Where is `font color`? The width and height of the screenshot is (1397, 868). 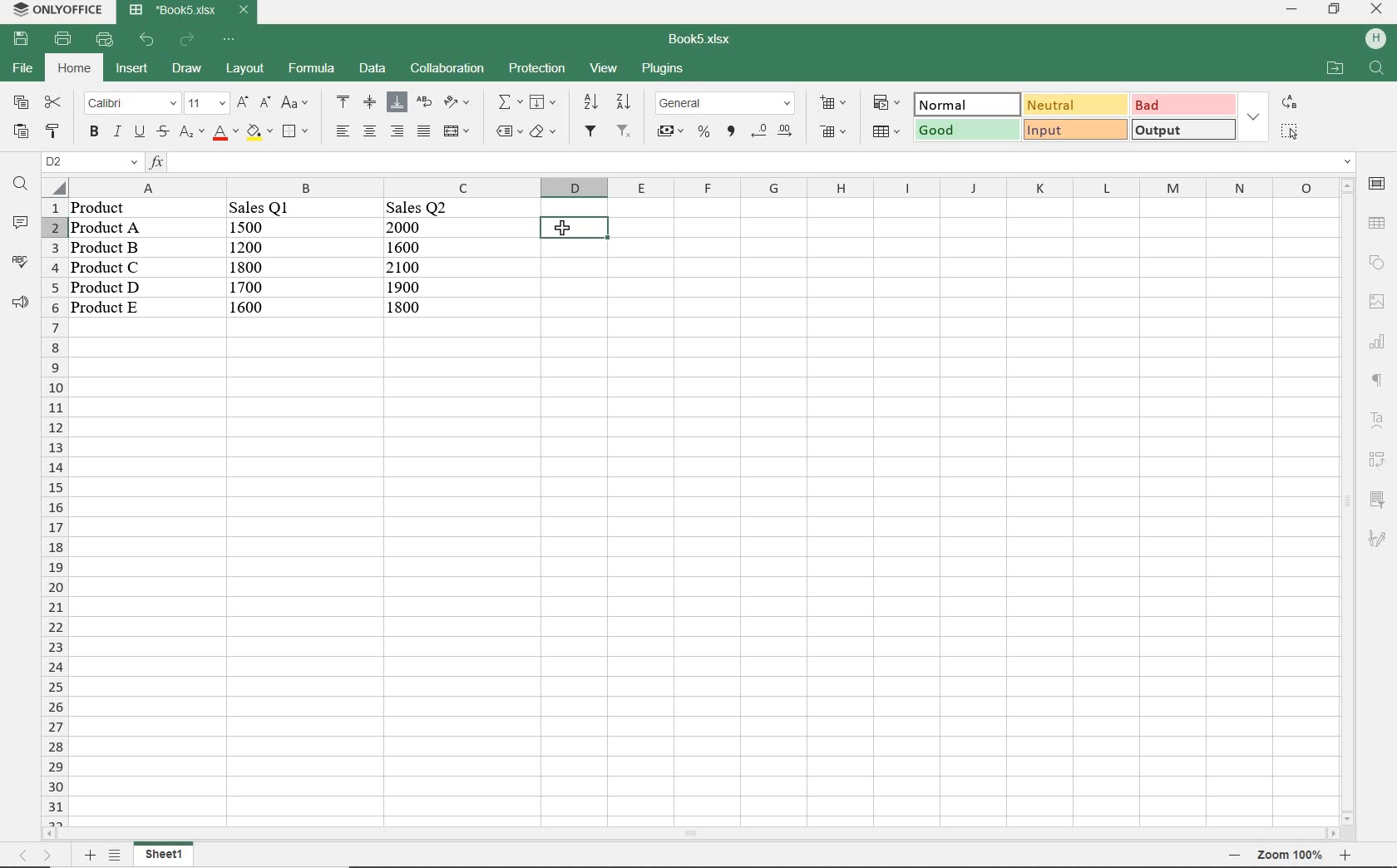 font color is located at coordinates (222, 133).